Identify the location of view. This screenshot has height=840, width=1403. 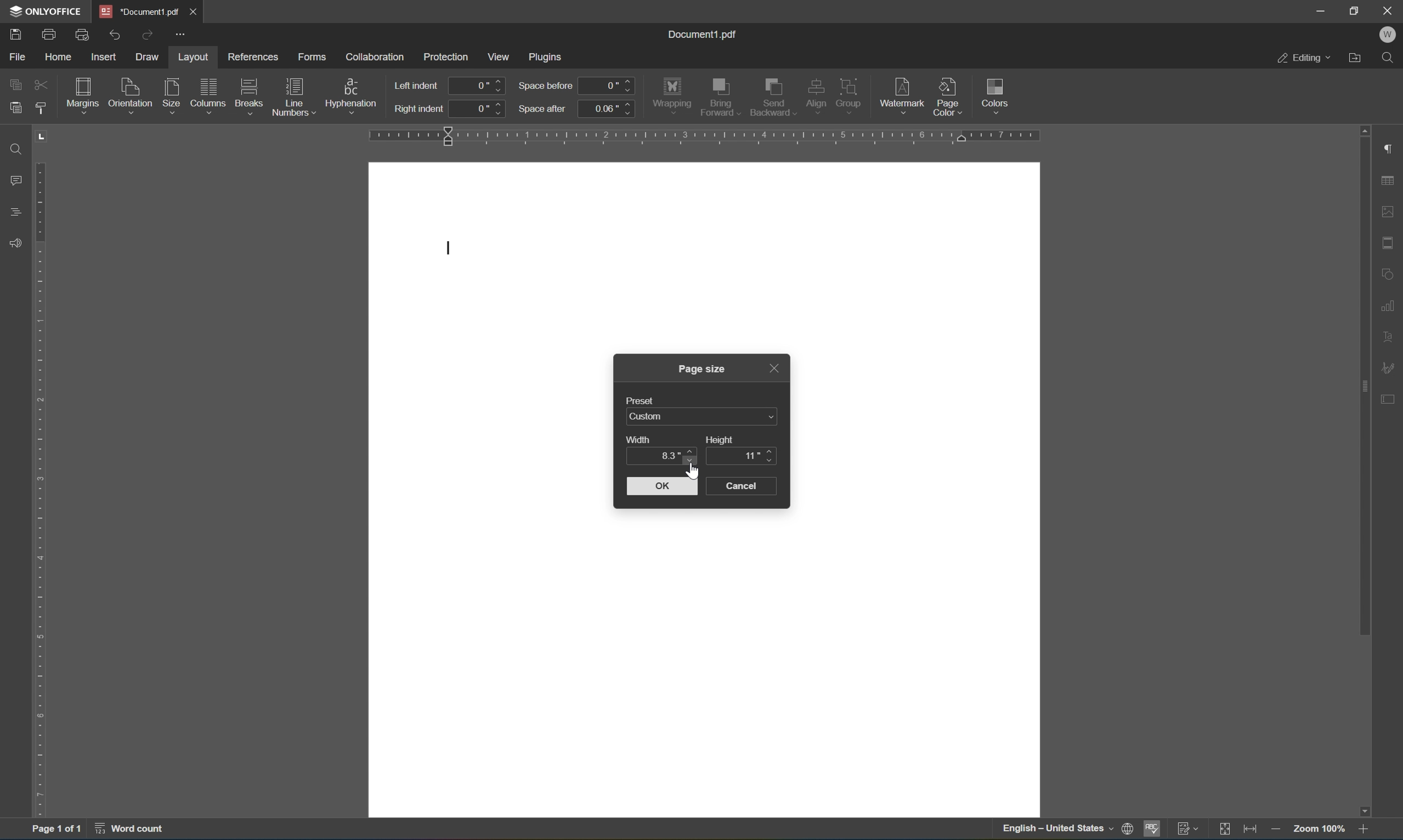
(502, 56).